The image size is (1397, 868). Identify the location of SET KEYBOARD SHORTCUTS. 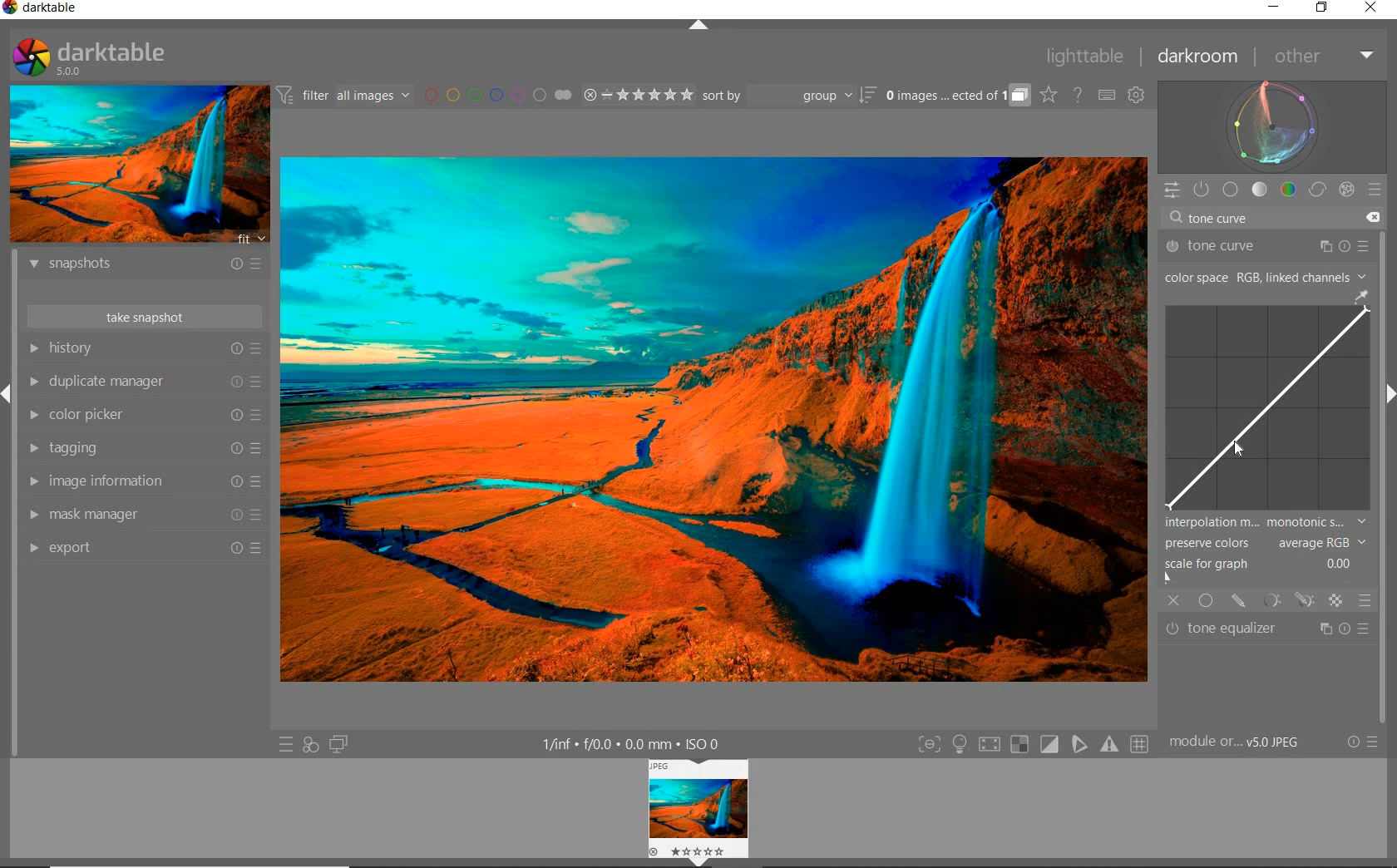
(1108, 96).